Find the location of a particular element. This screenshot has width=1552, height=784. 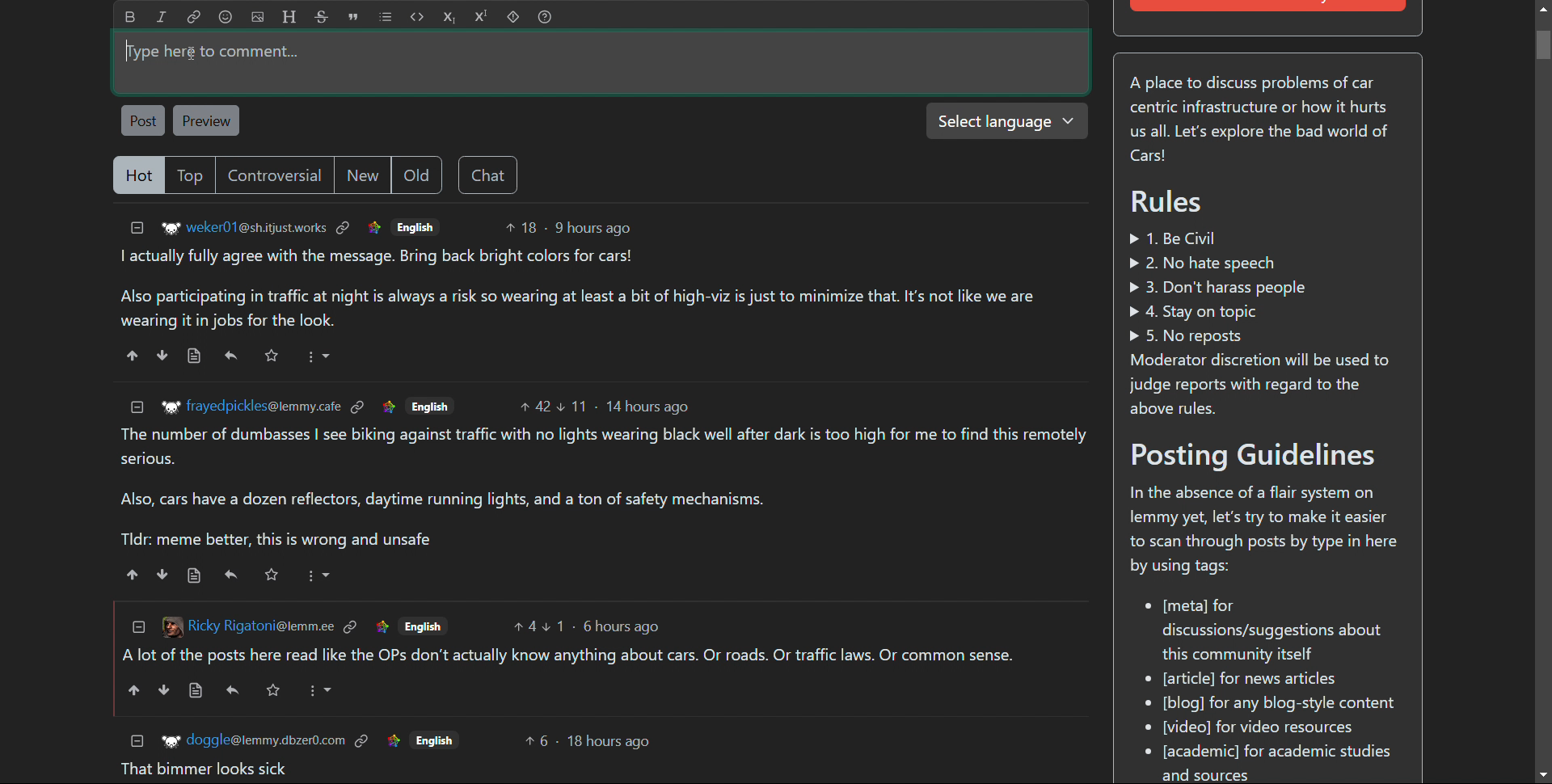

9 hours ago is located at coordinates (592, 228).